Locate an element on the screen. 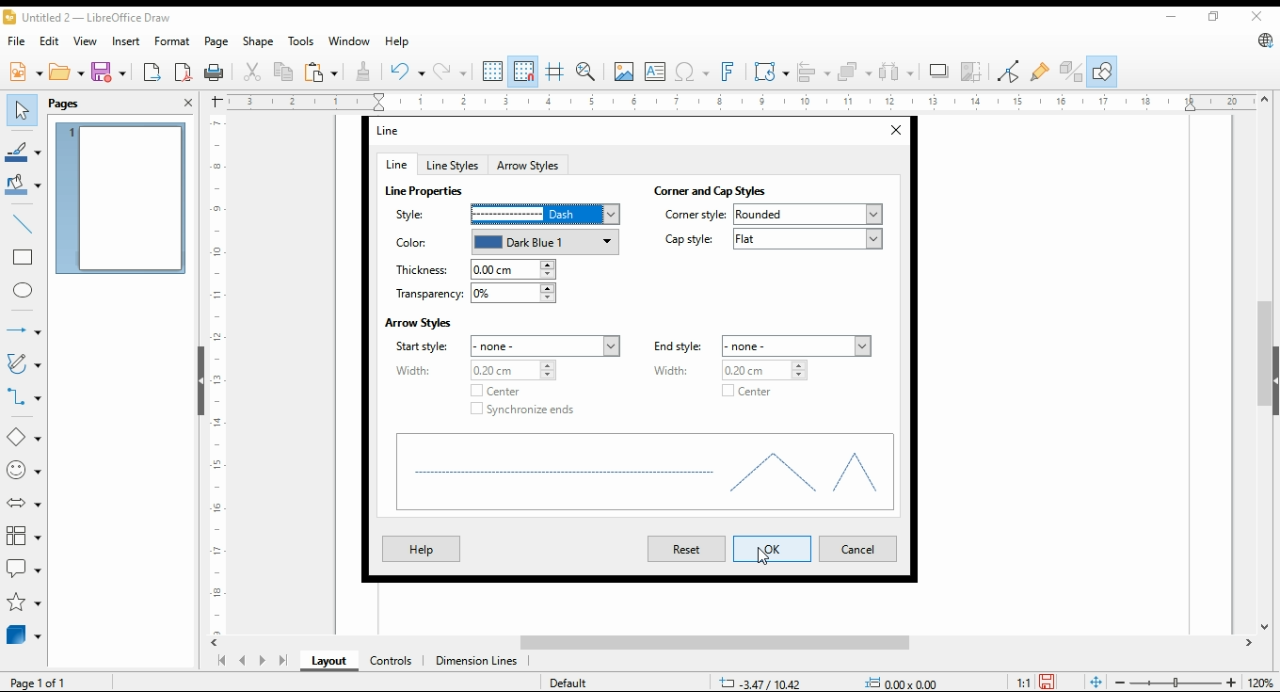 The image size is (1280, 692). page 1 is located at coordinates (120, 198).